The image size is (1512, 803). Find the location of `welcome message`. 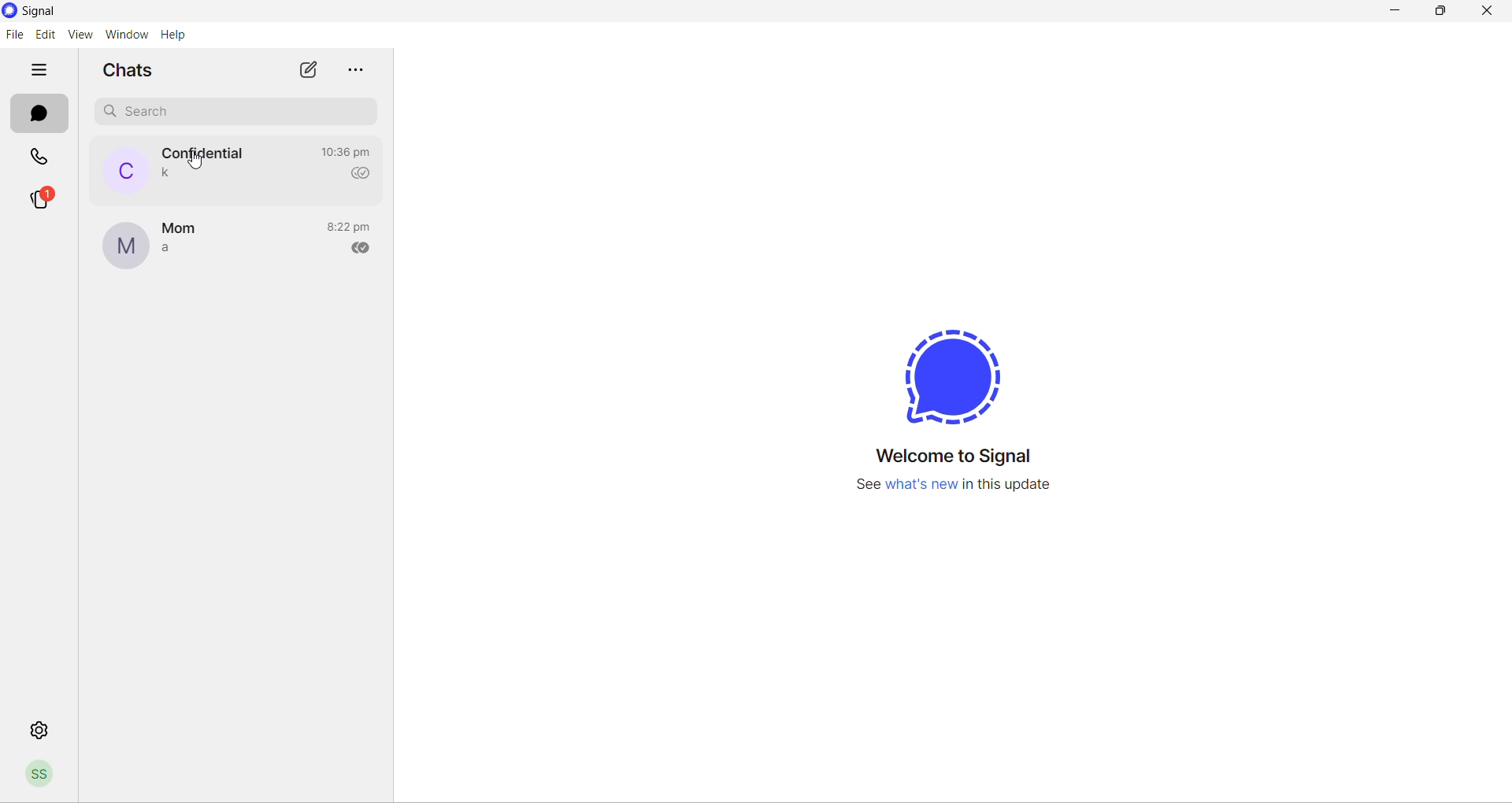

welcome message is located at coordinates (962, 458).